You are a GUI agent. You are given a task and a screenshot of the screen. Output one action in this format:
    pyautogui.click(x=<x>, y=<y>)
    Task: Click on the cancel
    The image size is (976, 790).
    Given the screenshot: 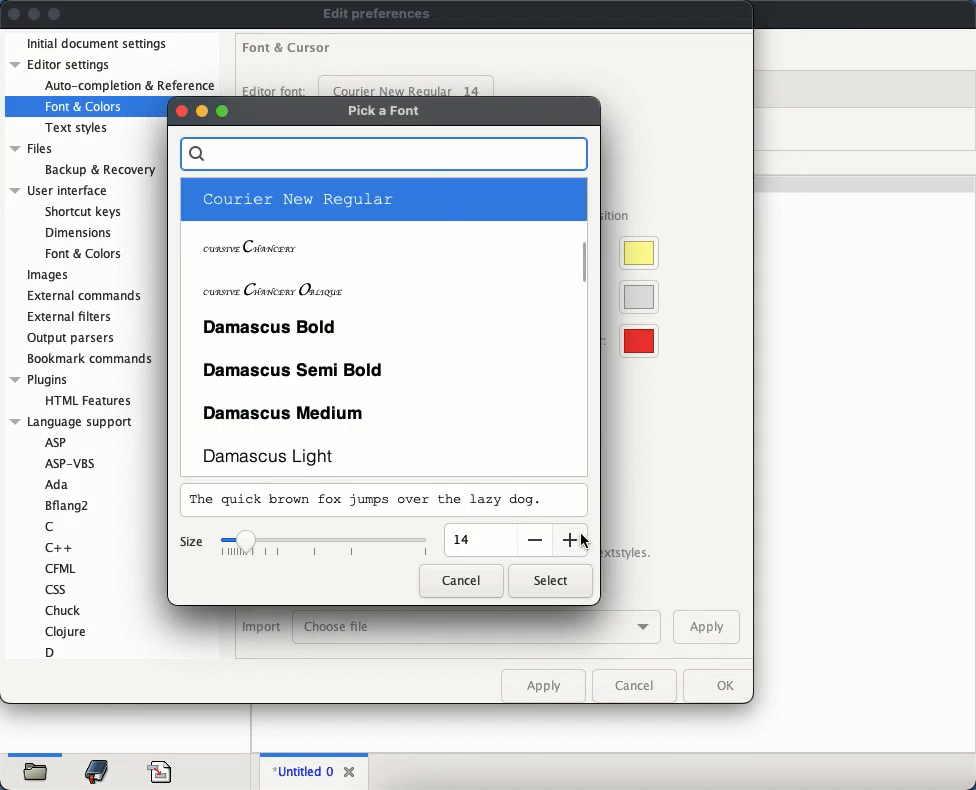 What is the action you would take?
    pyautogui.click(x=634, y=686)
    